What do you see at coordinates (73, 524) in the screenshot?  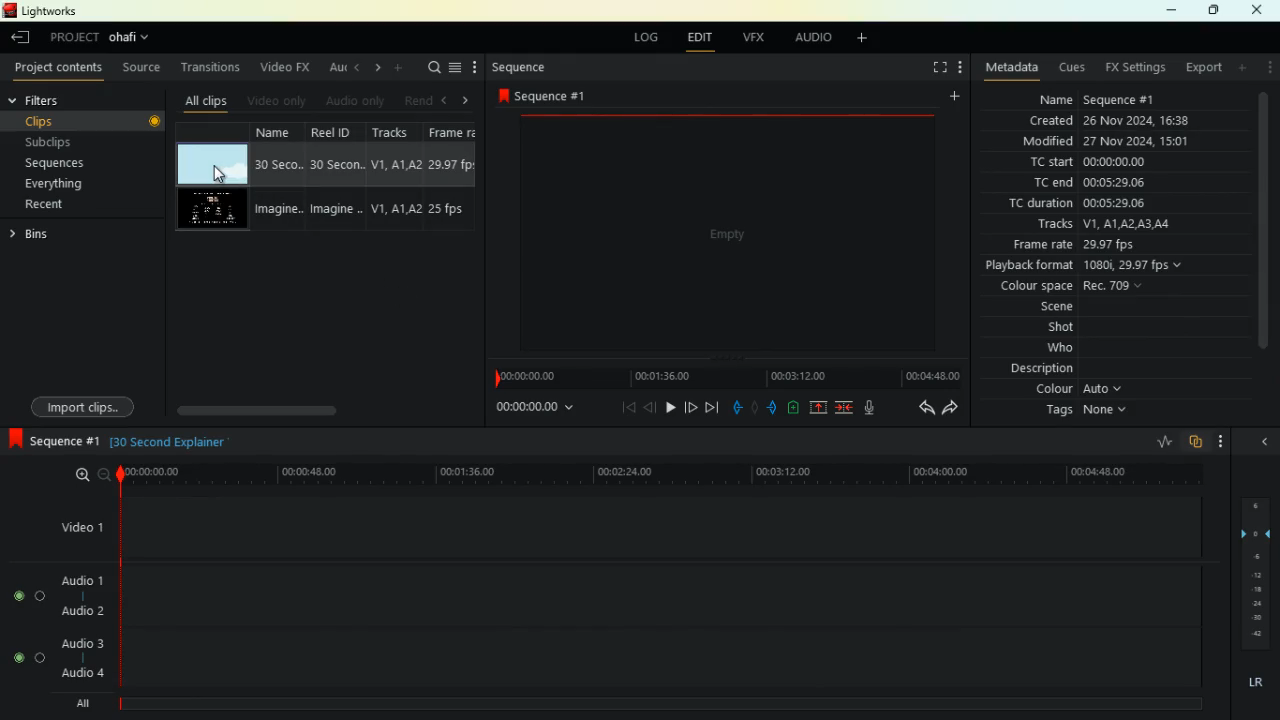 I see `video` at bounding box center [73, 524].